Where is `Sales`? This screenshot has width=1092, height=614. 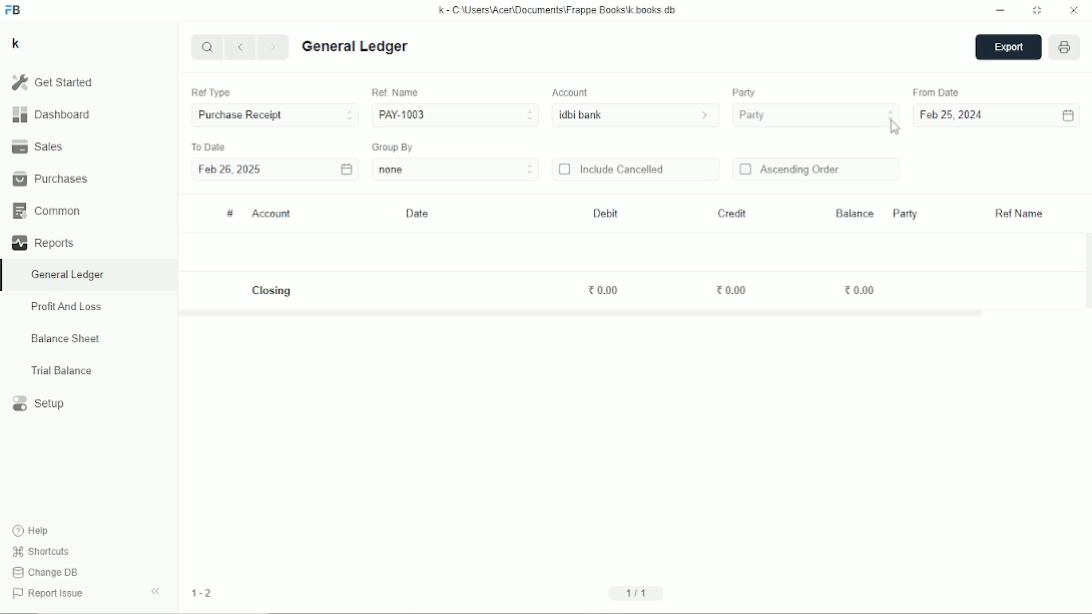
Sales is located at coordinates (37, 145).